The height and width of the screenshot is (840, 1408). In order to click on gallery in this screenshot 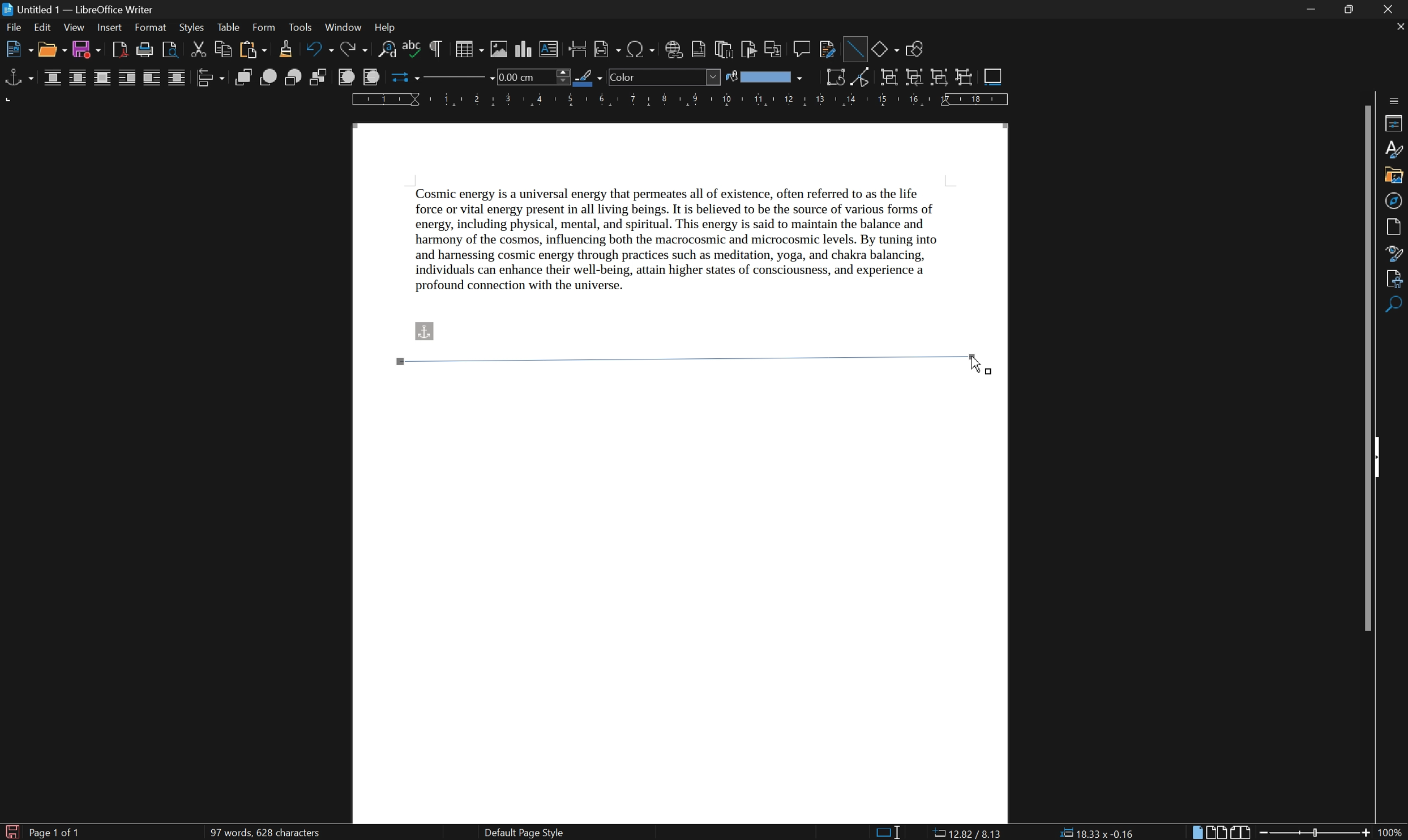, I will do `click(1393, 177)`.